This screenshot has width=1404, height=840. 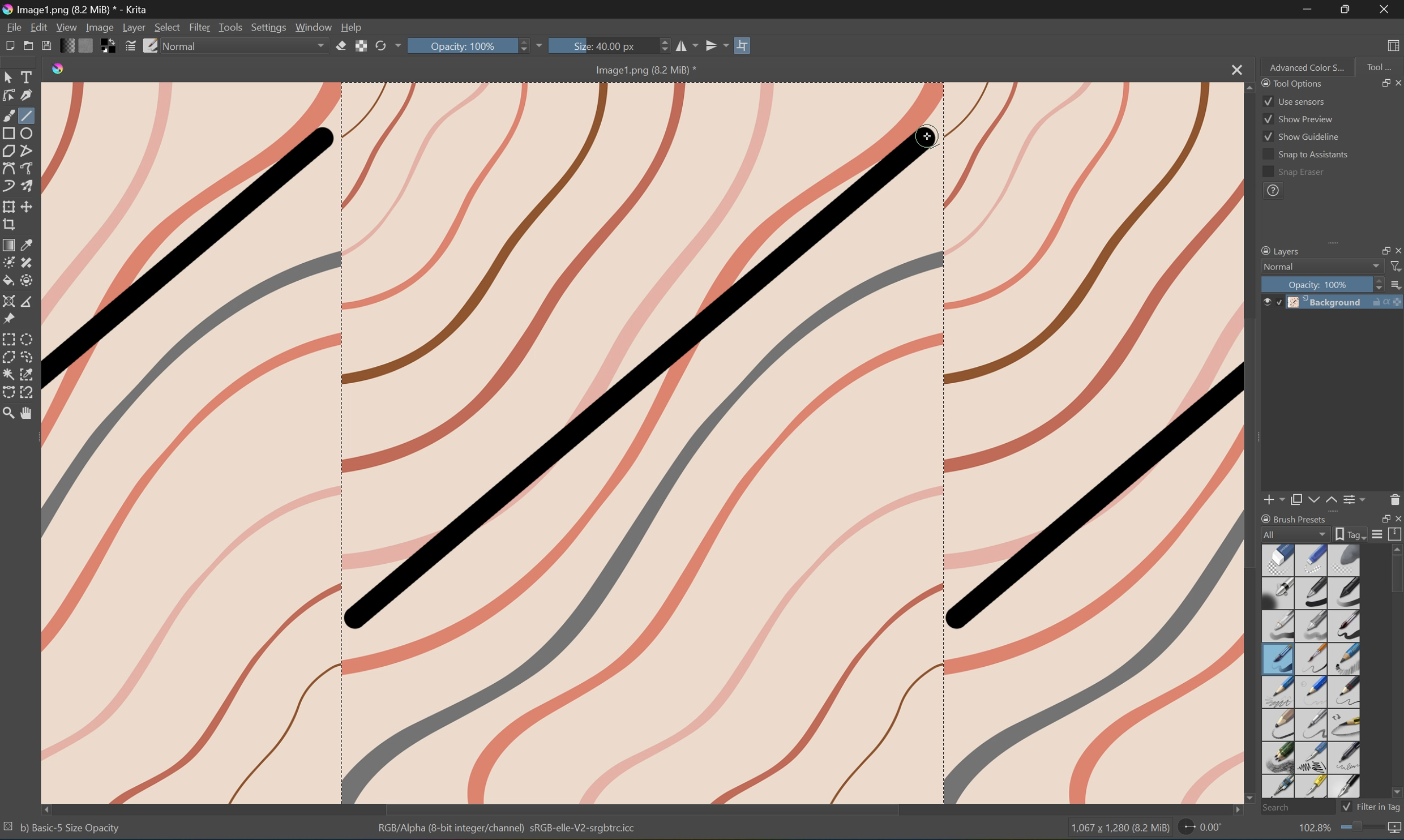 I want to click on Locked, so click(x=1279, y=302).